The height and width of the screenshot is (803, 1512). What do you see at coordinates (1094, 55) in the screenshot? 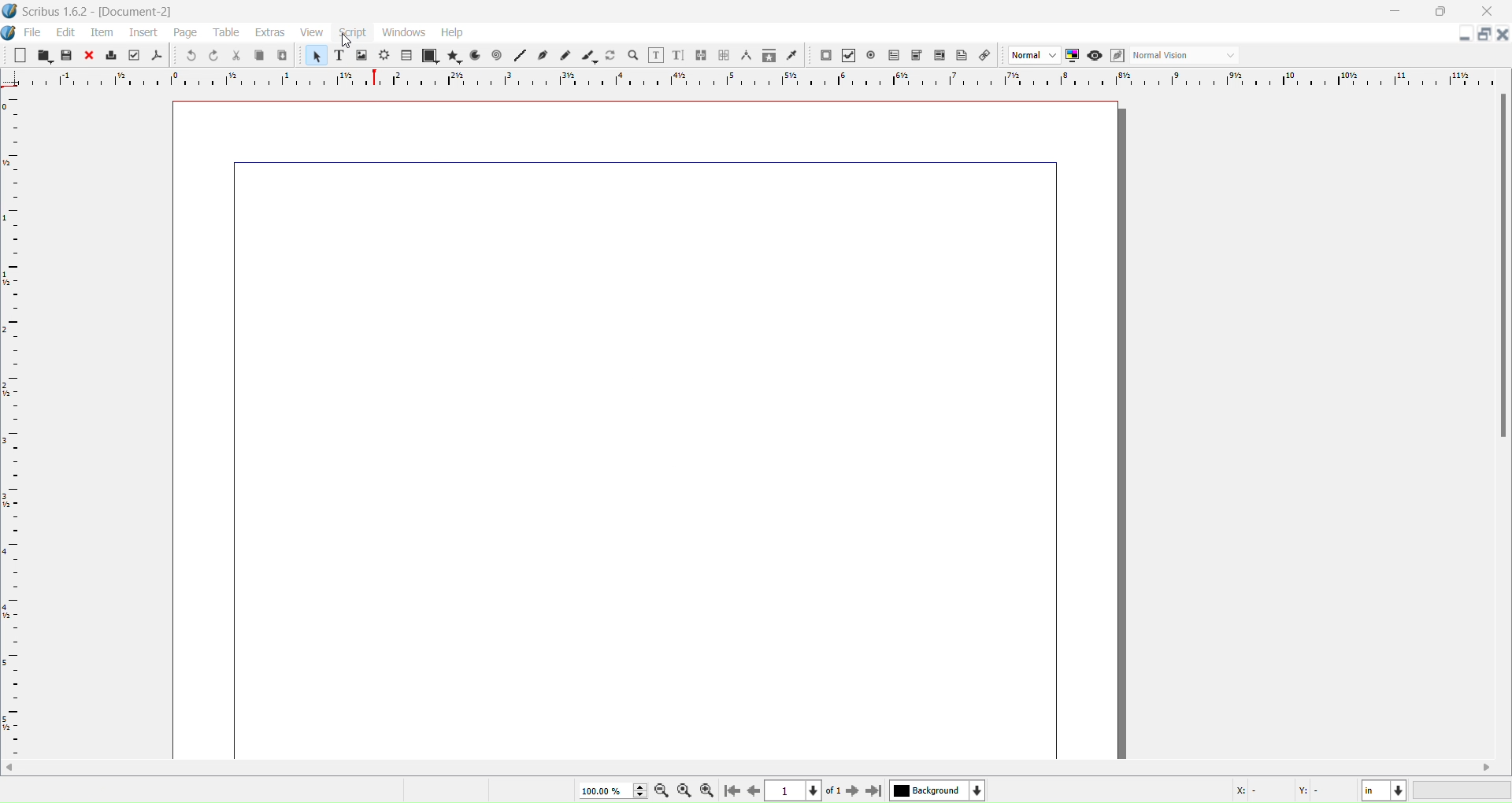
I see `Preview mode` at bounding box center [1094, 55].